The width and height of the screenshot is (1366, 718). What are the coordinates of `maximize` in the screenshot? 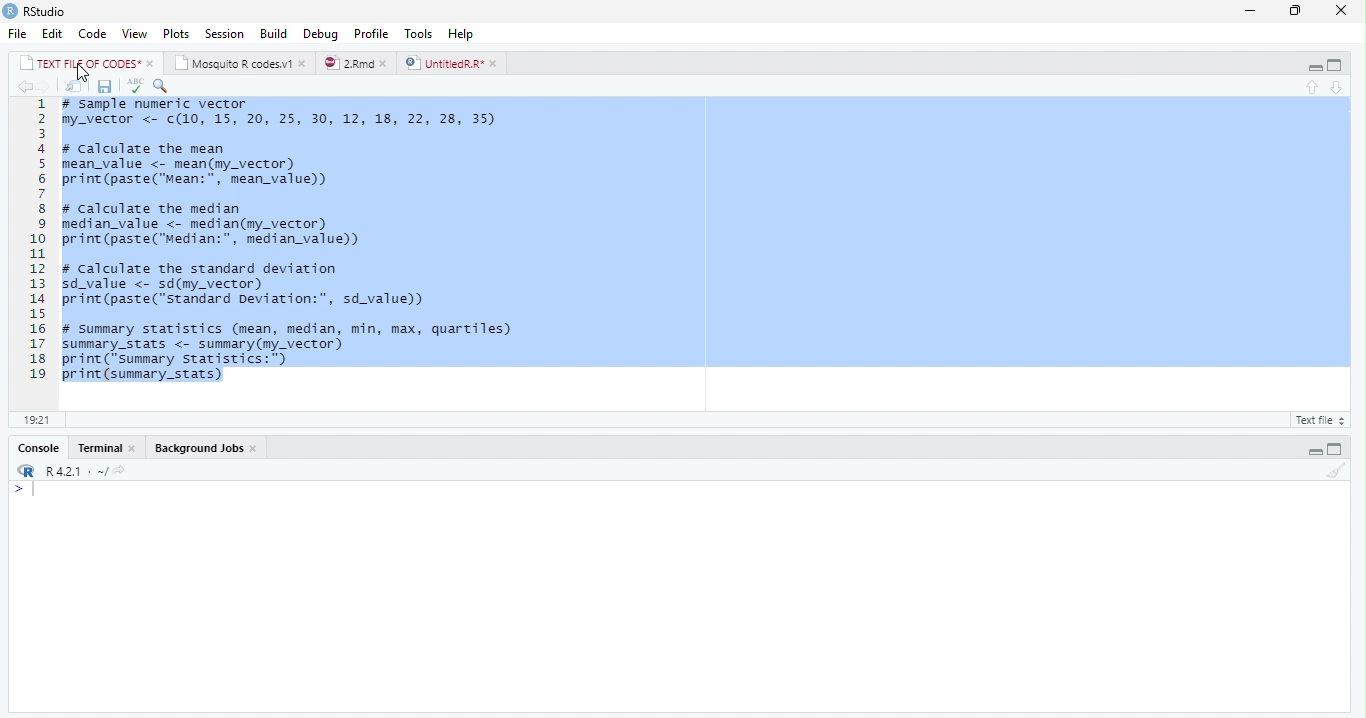 It's located at (1334, 450).